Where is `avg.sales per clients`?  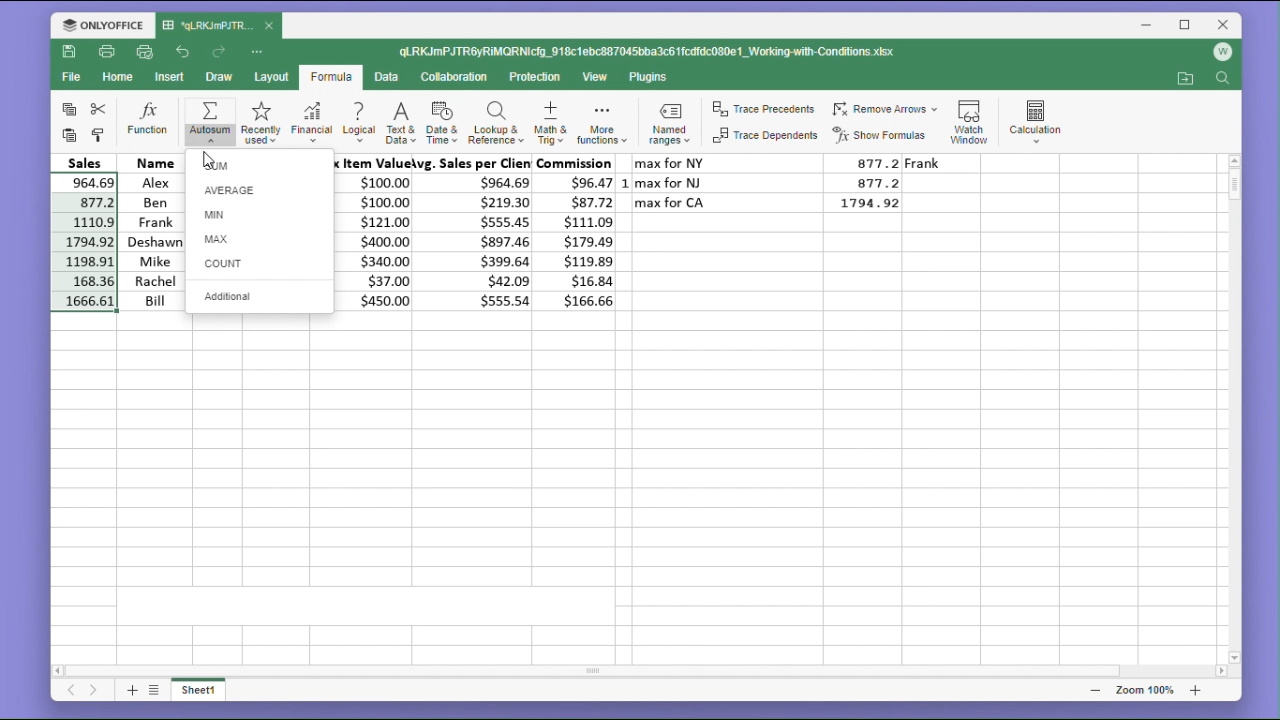 avg.sales per clients is located at coordinates (477, 235).